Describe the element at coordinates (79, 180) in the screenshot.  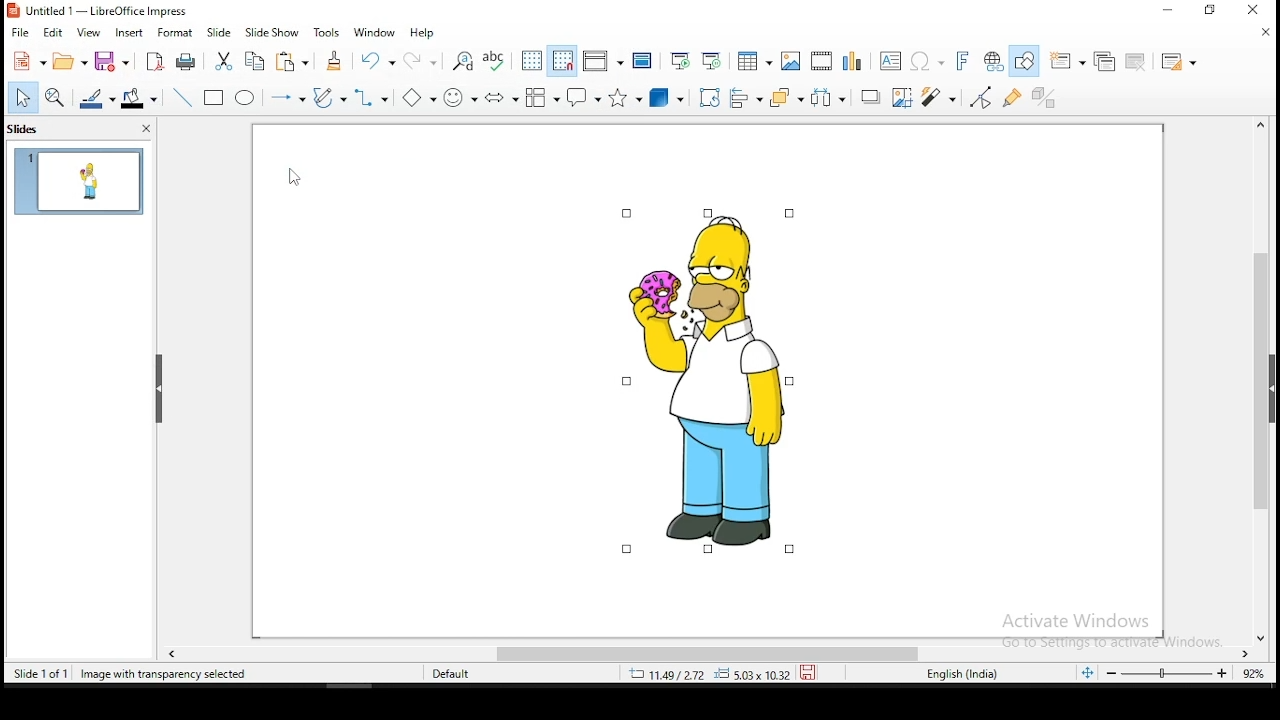
I see `slide 1` at that location.